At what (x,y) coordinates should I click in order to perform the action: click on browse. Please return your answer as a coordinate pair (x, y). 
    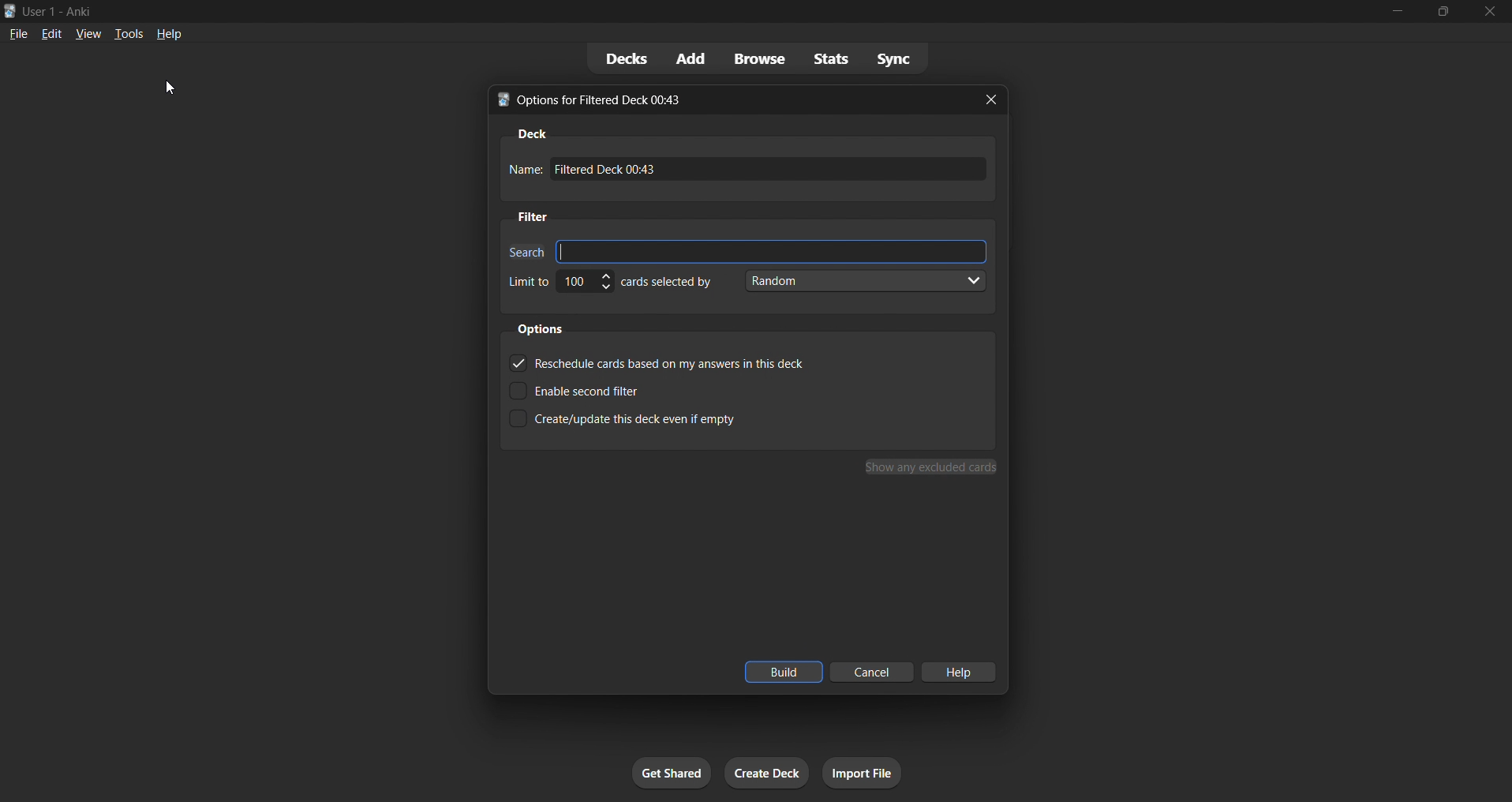
    Looking at the image, I should click on (751, 58).